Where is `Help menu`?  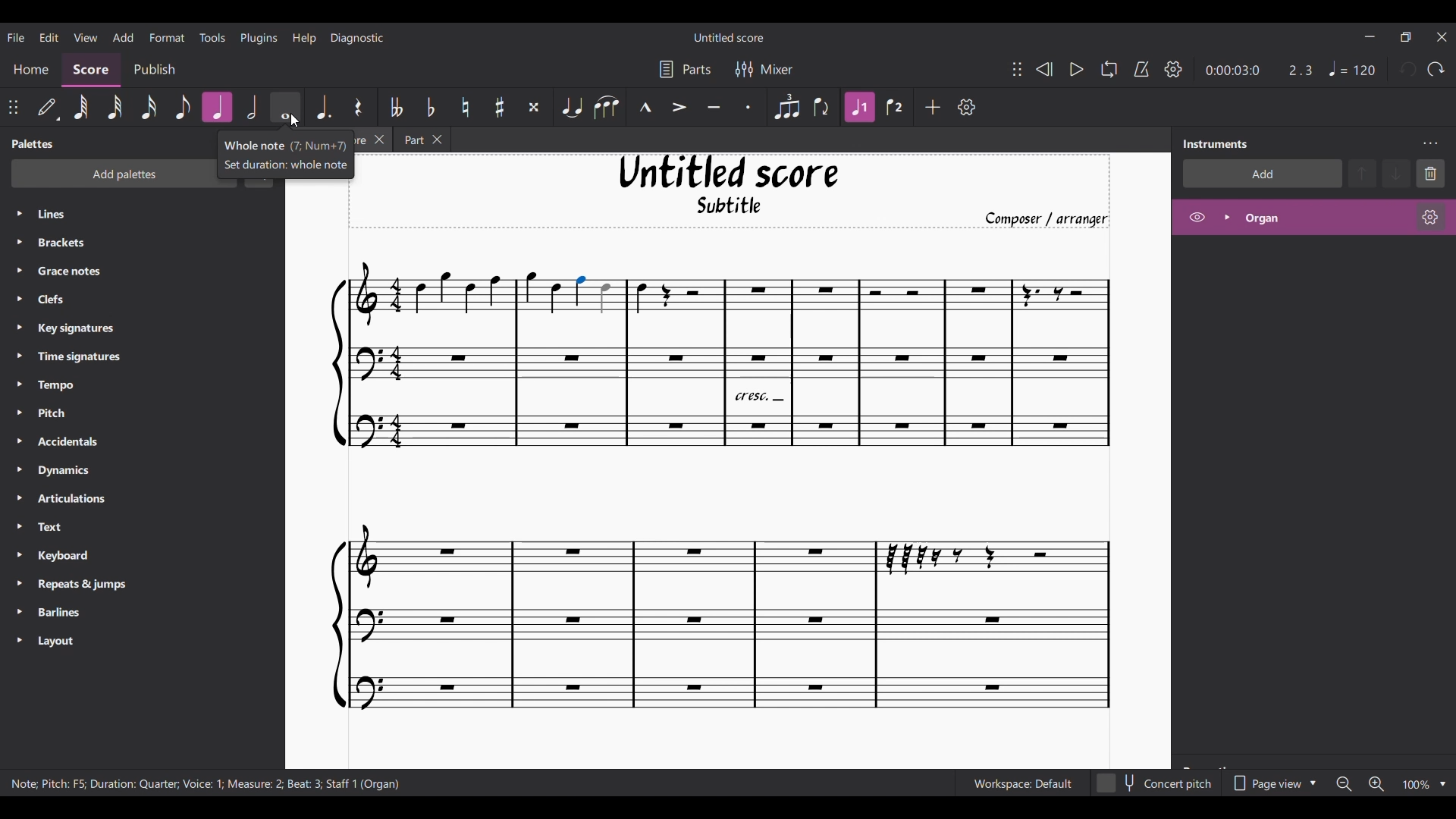
Help menu is located at coordinates (305, 38).